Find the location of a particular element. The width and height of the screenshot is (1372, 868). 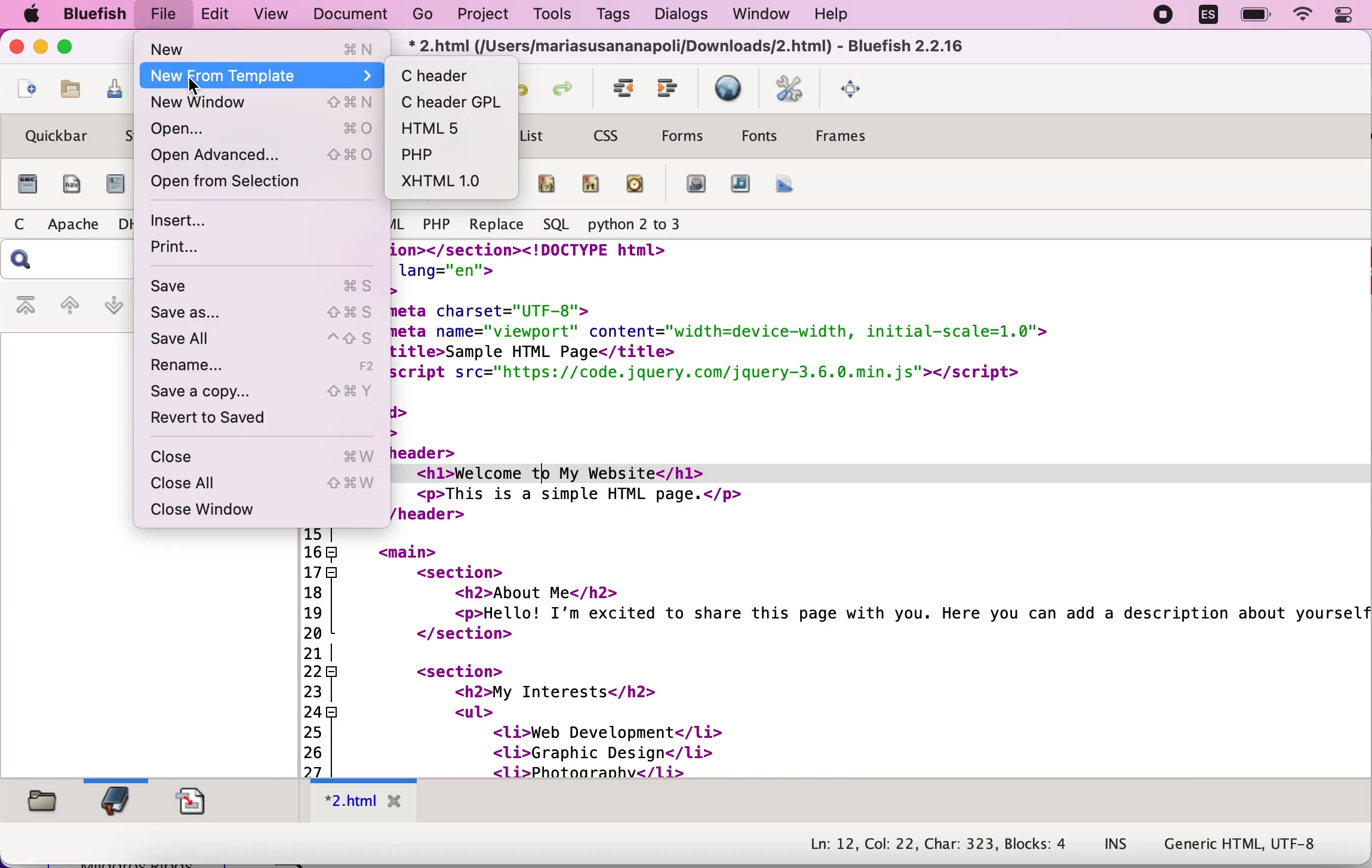

save is located at coordinates (269, 287).